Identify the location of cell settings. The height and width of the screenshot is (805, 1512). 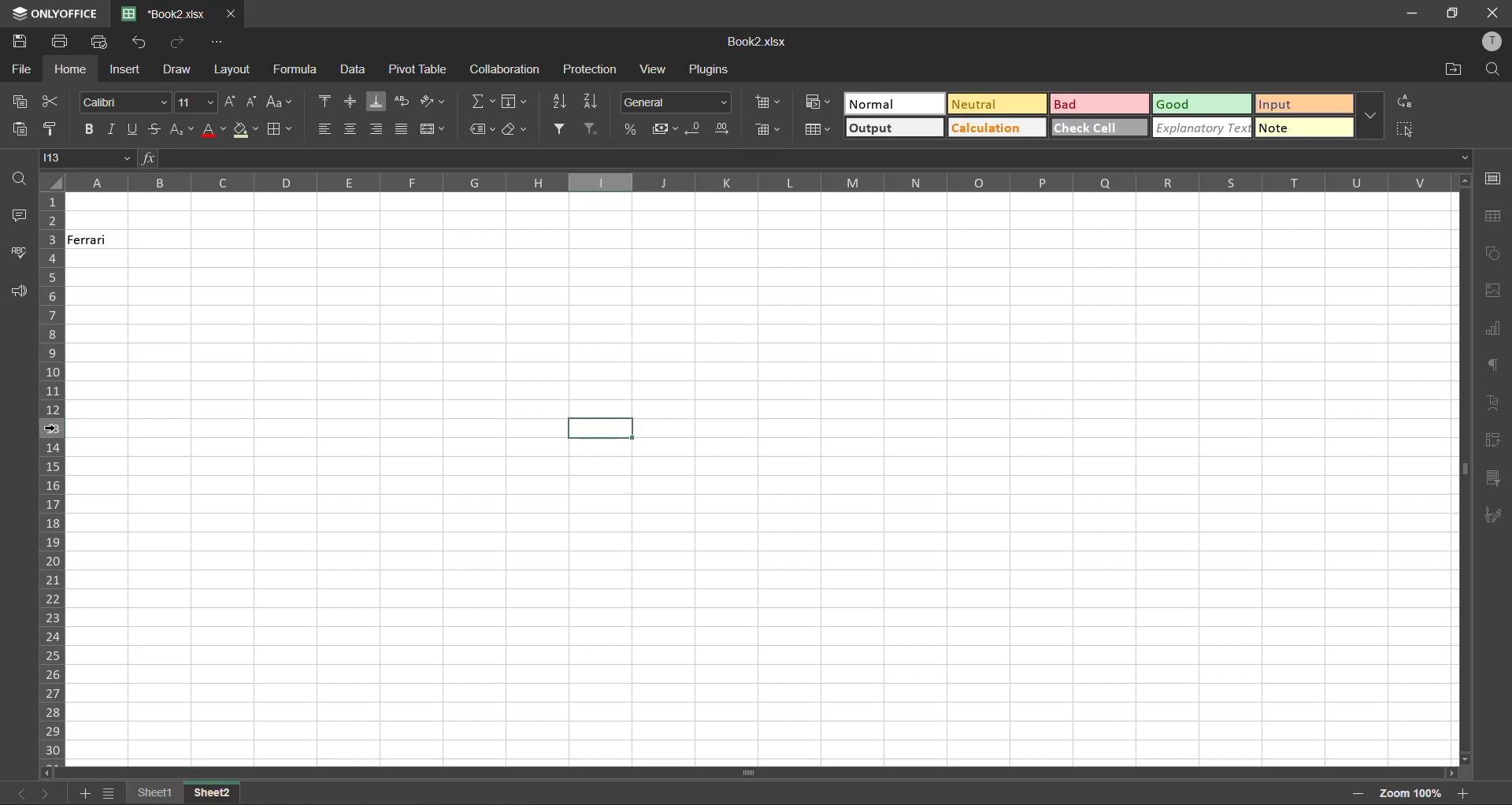
(1494, 177).